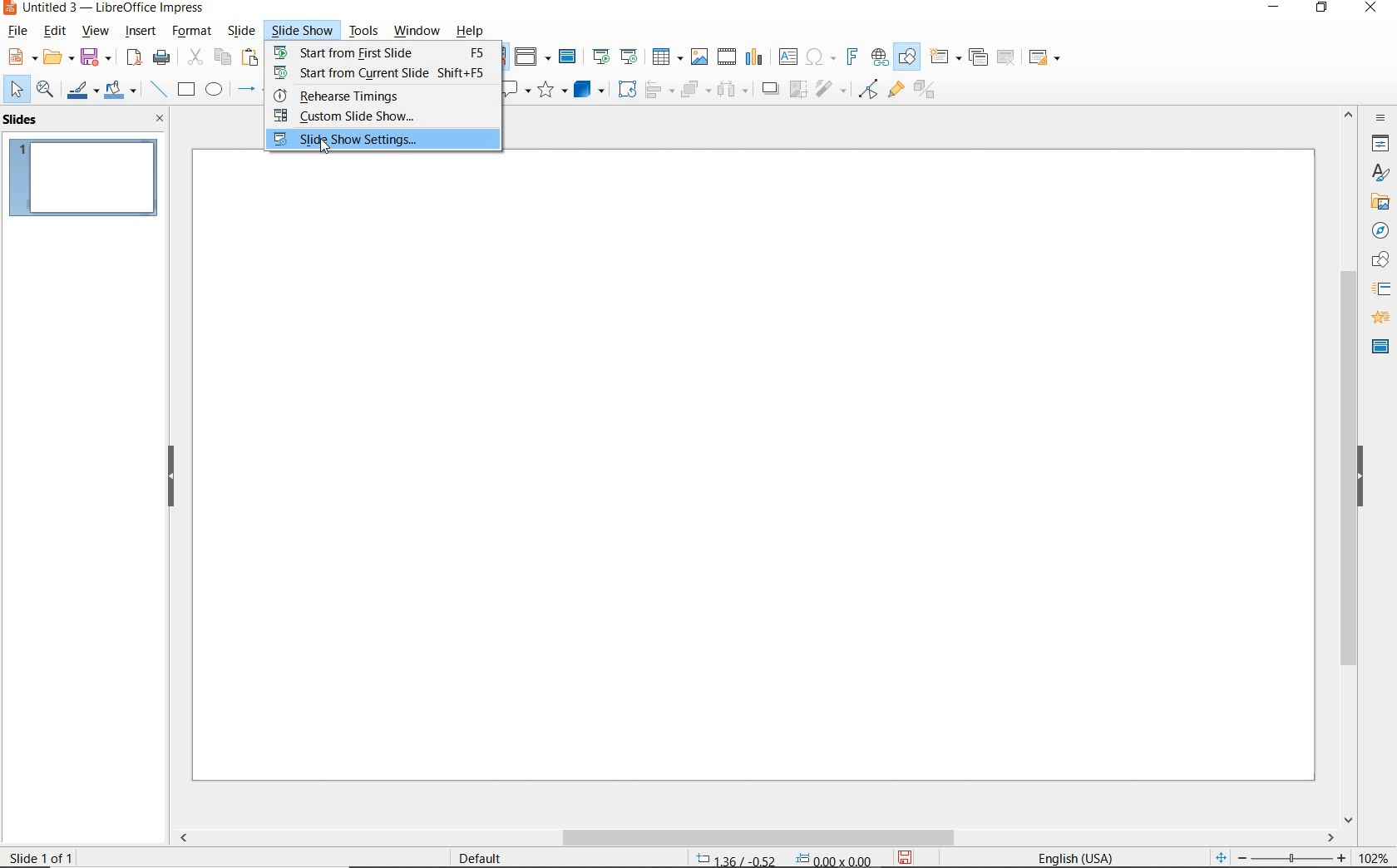 Image resolution: width=1397 pixels, height=868 pixels. Describe the element at coordinates (755, 56) in the screenshot. I see `INSERT CHART` at that location.